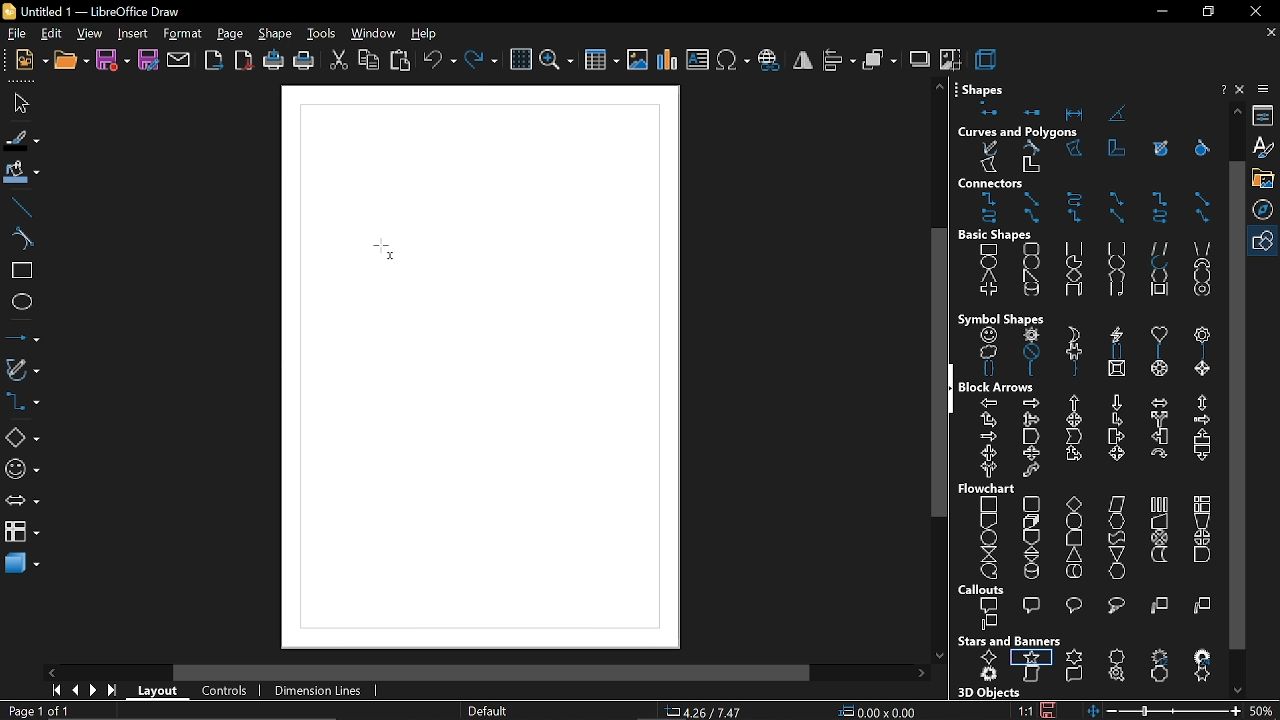 This screenshot has height=720, width=1280. What do you see at coordinates (183, 35) in the screenshot?
I see `format` at bounding box center [183, 35].